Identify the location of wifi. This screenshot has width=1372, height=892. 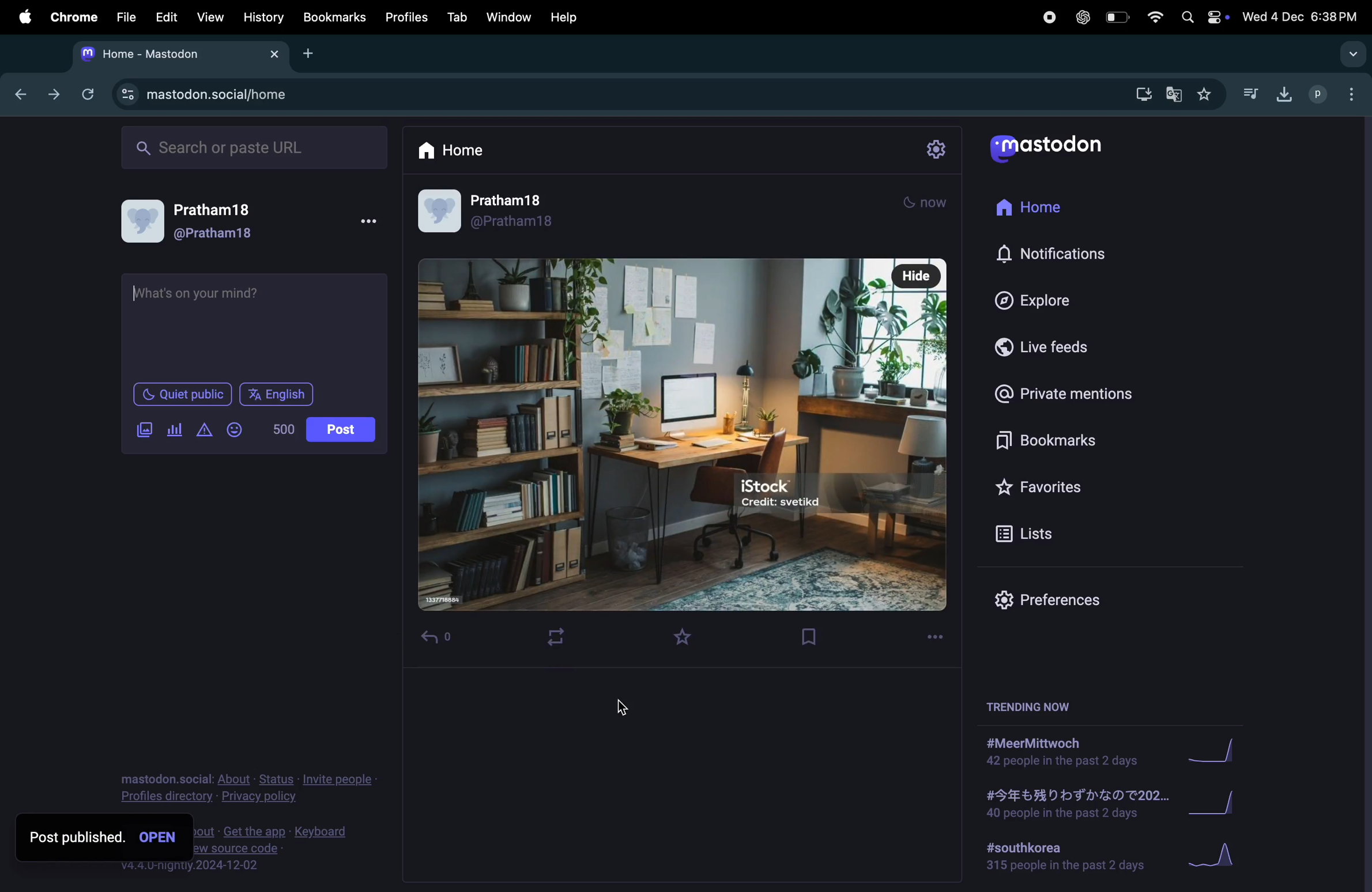
(1155, 17).